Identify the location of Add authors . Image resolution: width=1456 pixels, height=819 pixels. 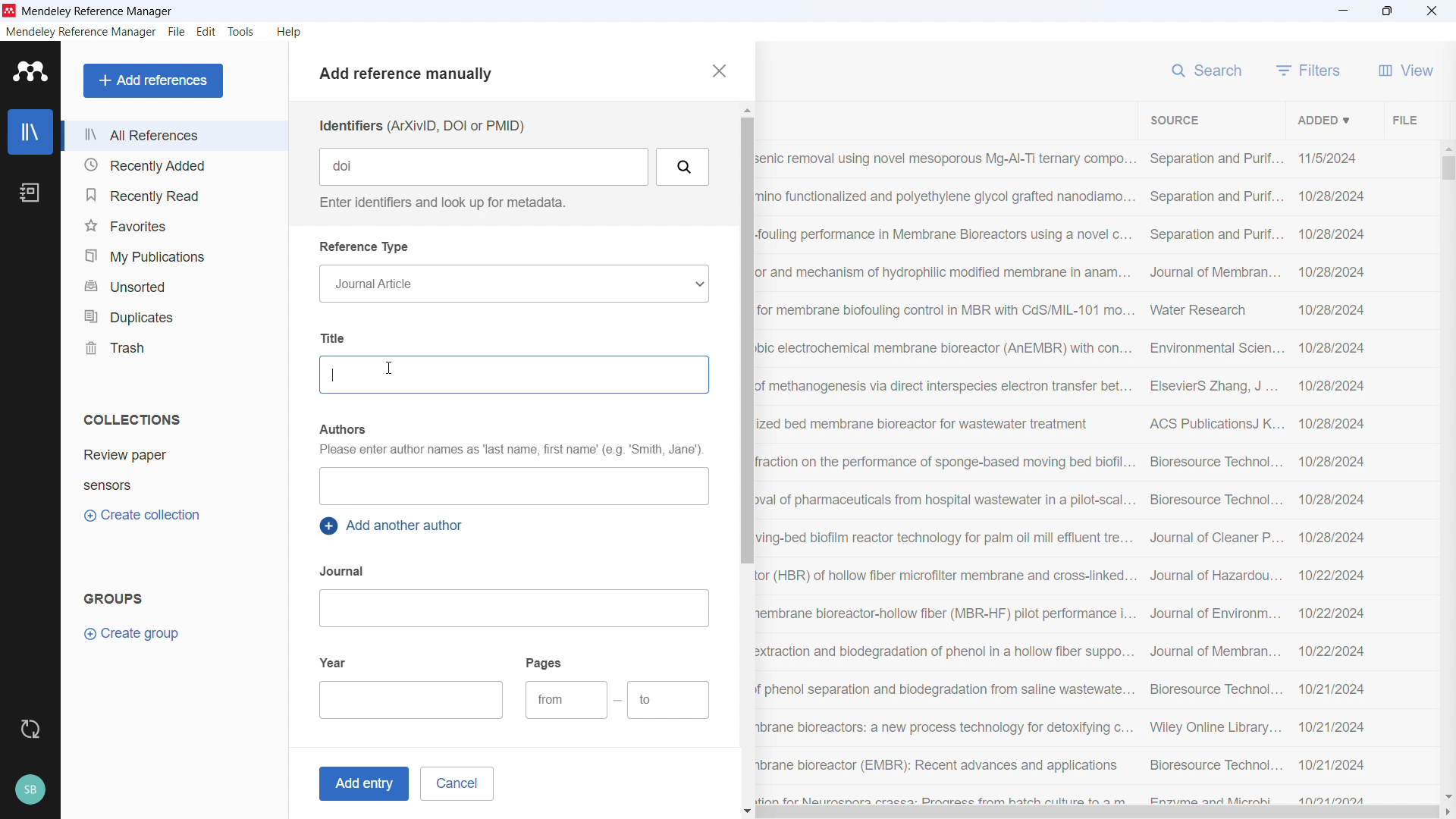
(513, 486).